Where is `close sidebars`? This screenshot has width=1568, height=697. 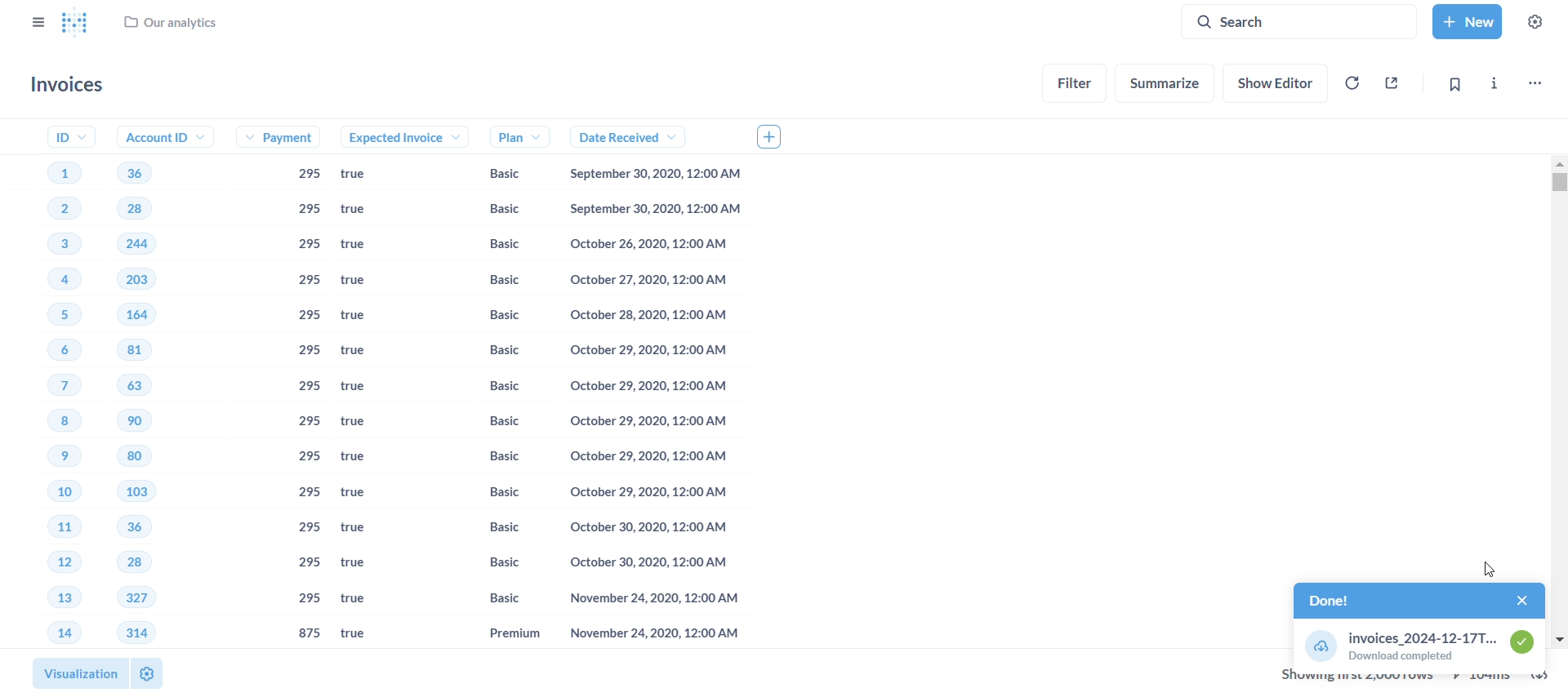
close sidebars is located at coordinates (36, 20).